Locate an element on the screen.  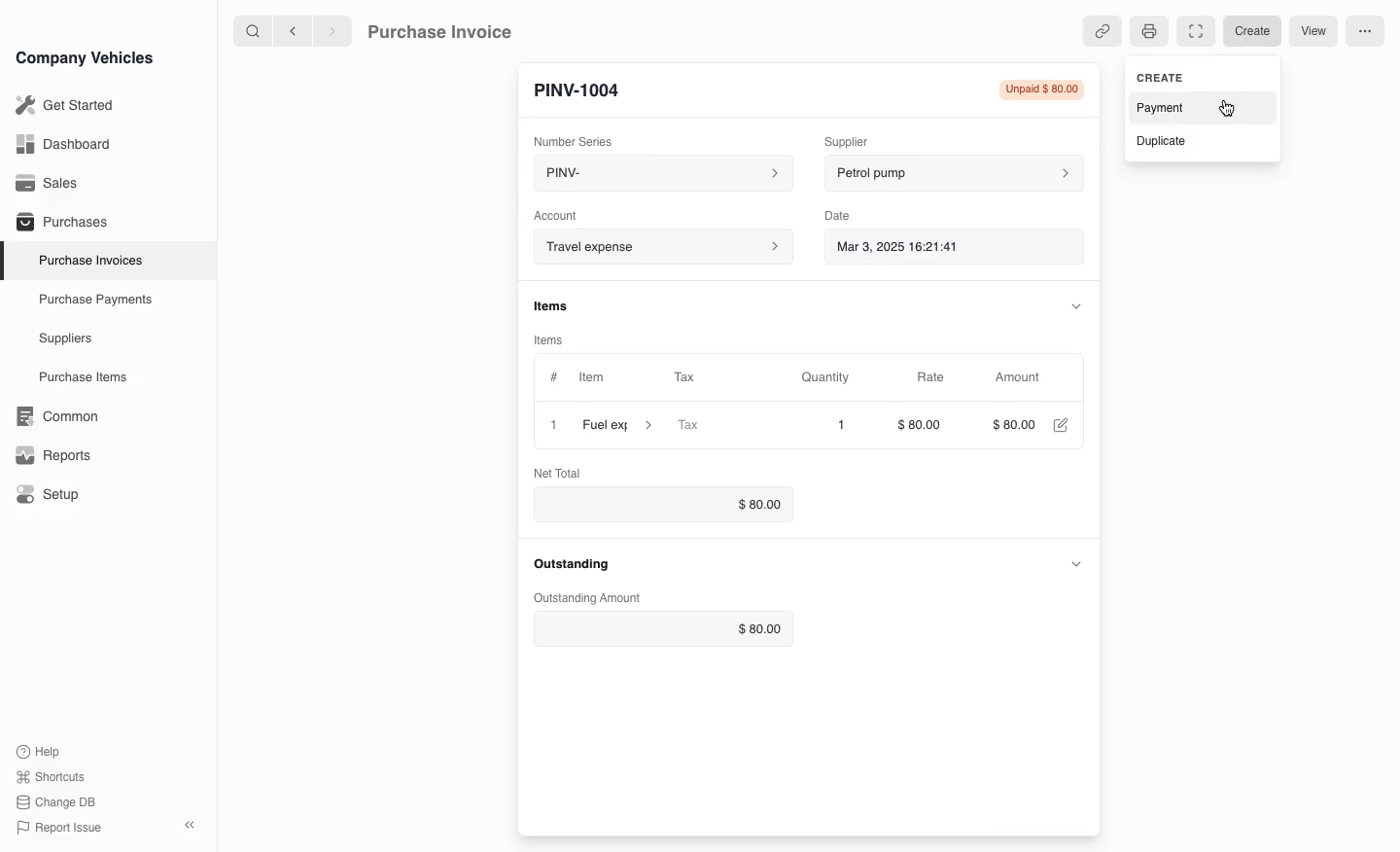
close is located at coordinates (553, 427).